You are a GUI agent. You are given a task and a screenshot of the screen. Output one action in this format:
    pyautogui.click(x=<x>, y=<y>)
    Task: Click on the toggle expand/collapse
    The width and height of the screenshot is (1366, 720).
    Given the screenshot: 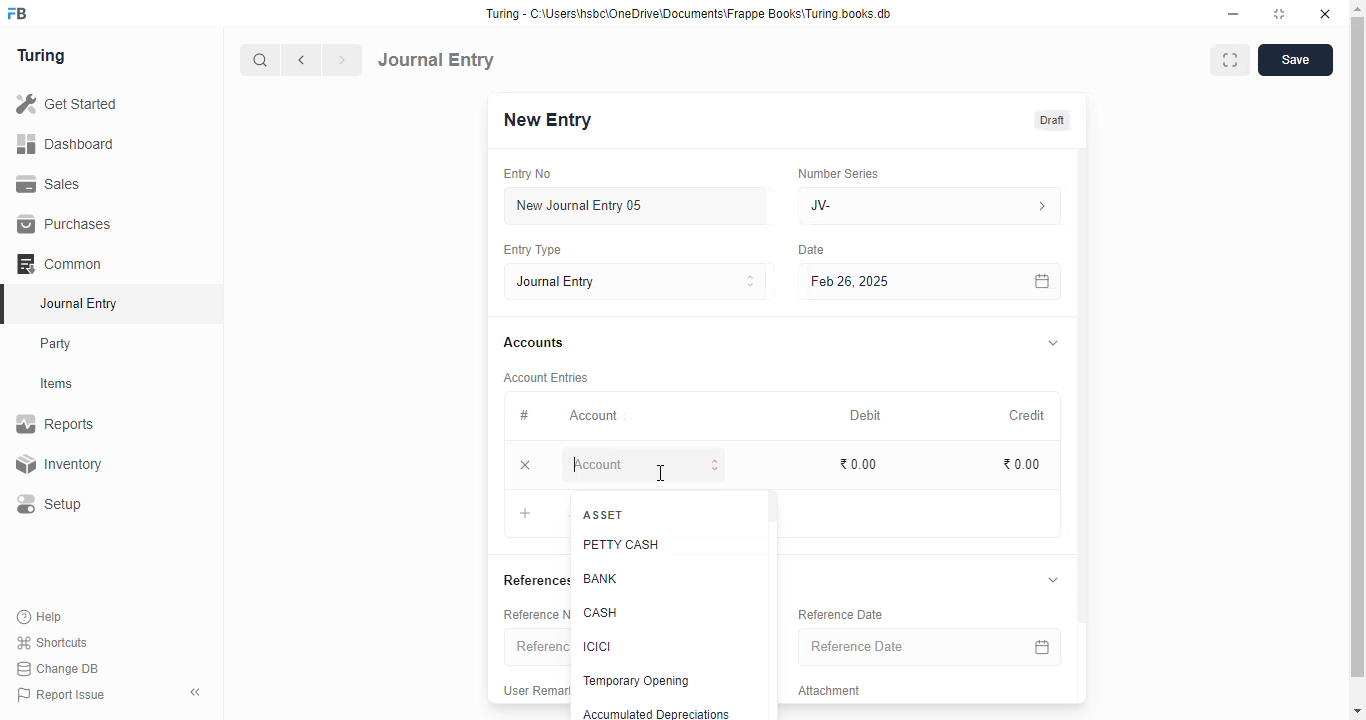 What is the action you would take?
    pyautogui.click(x=1050, y=580)
    